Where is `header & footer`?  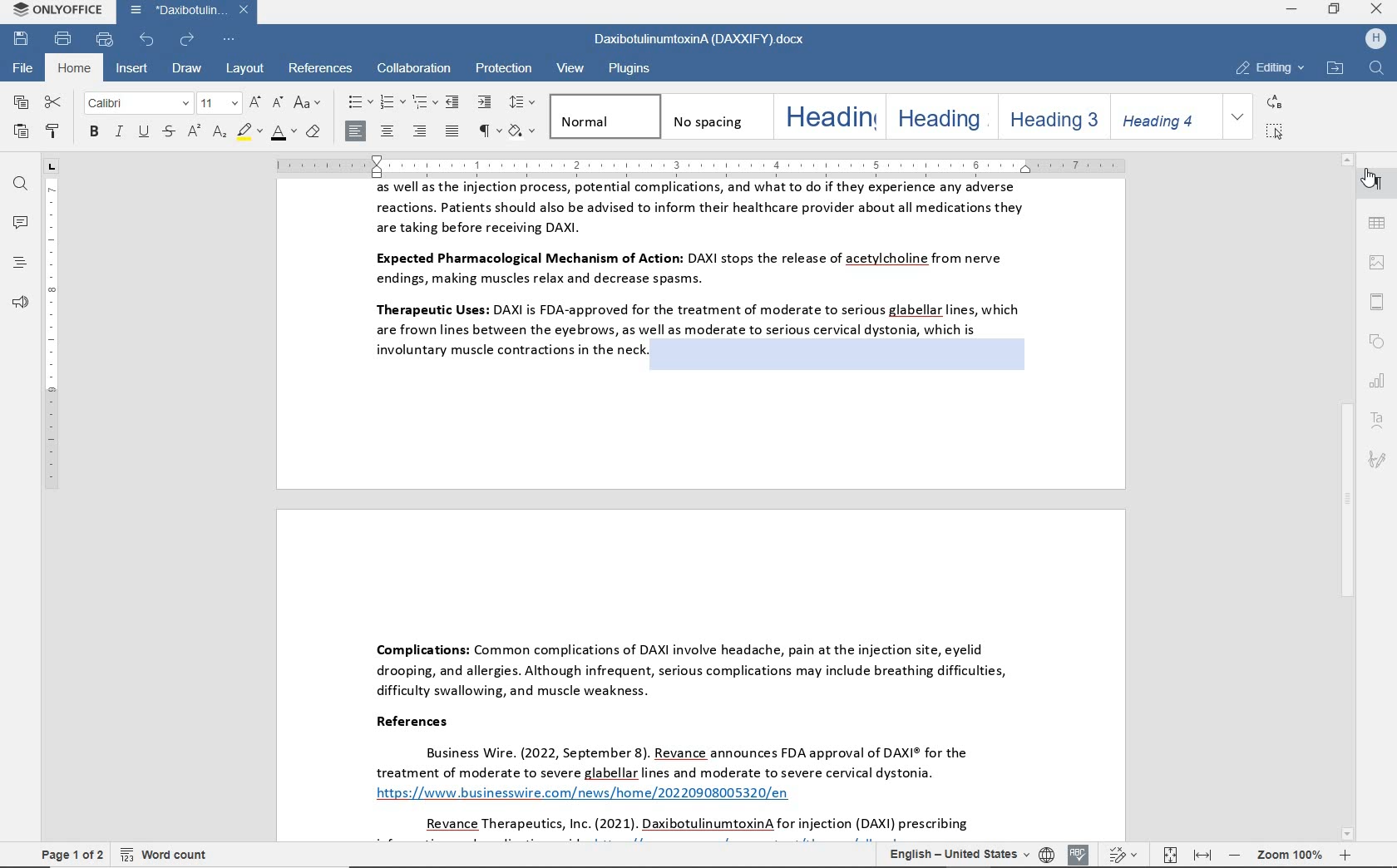
header & footer is located at coordinates (1376, 302).